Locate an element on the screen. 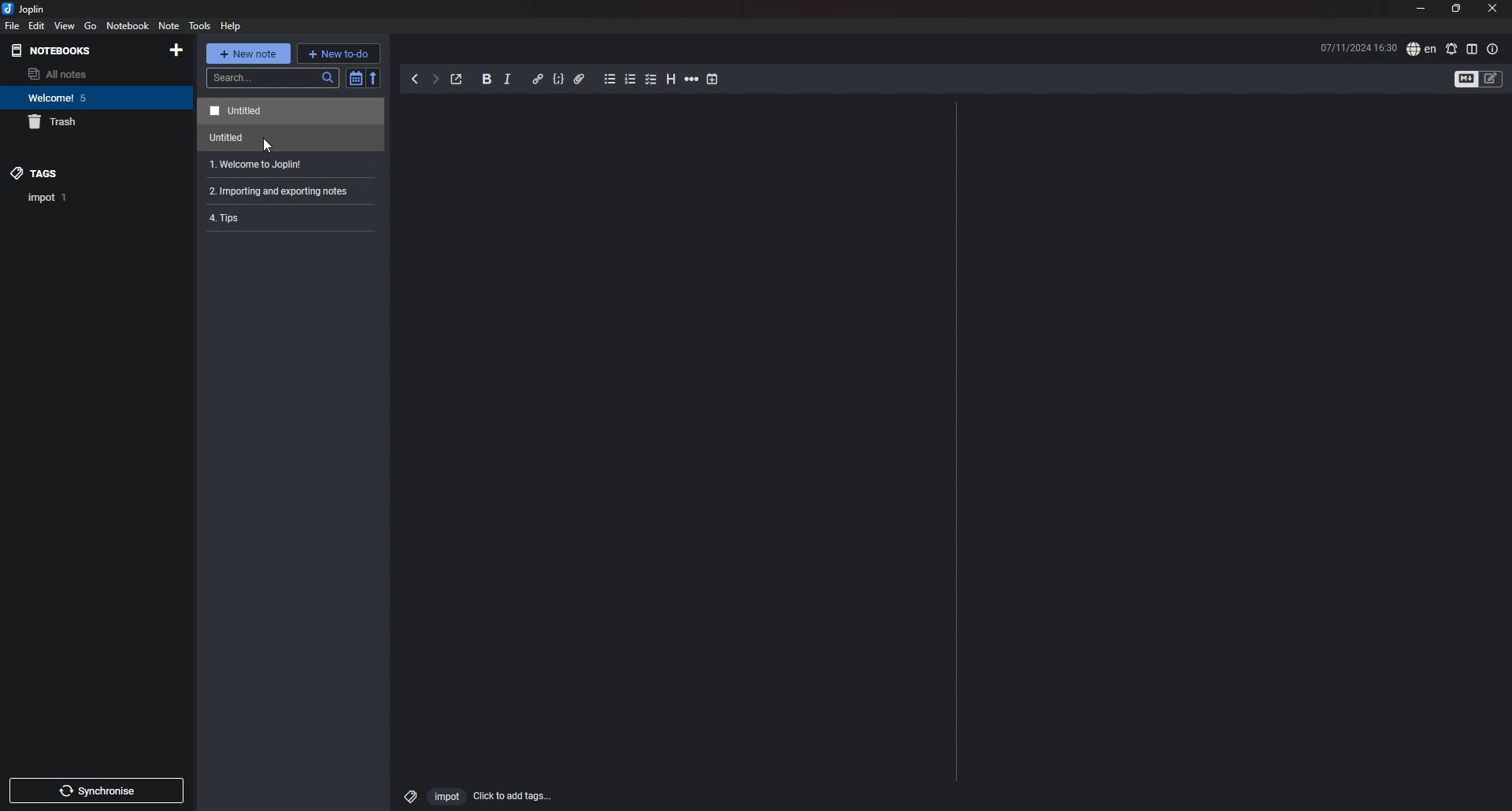  cursor is located at coordinates (267, 146).